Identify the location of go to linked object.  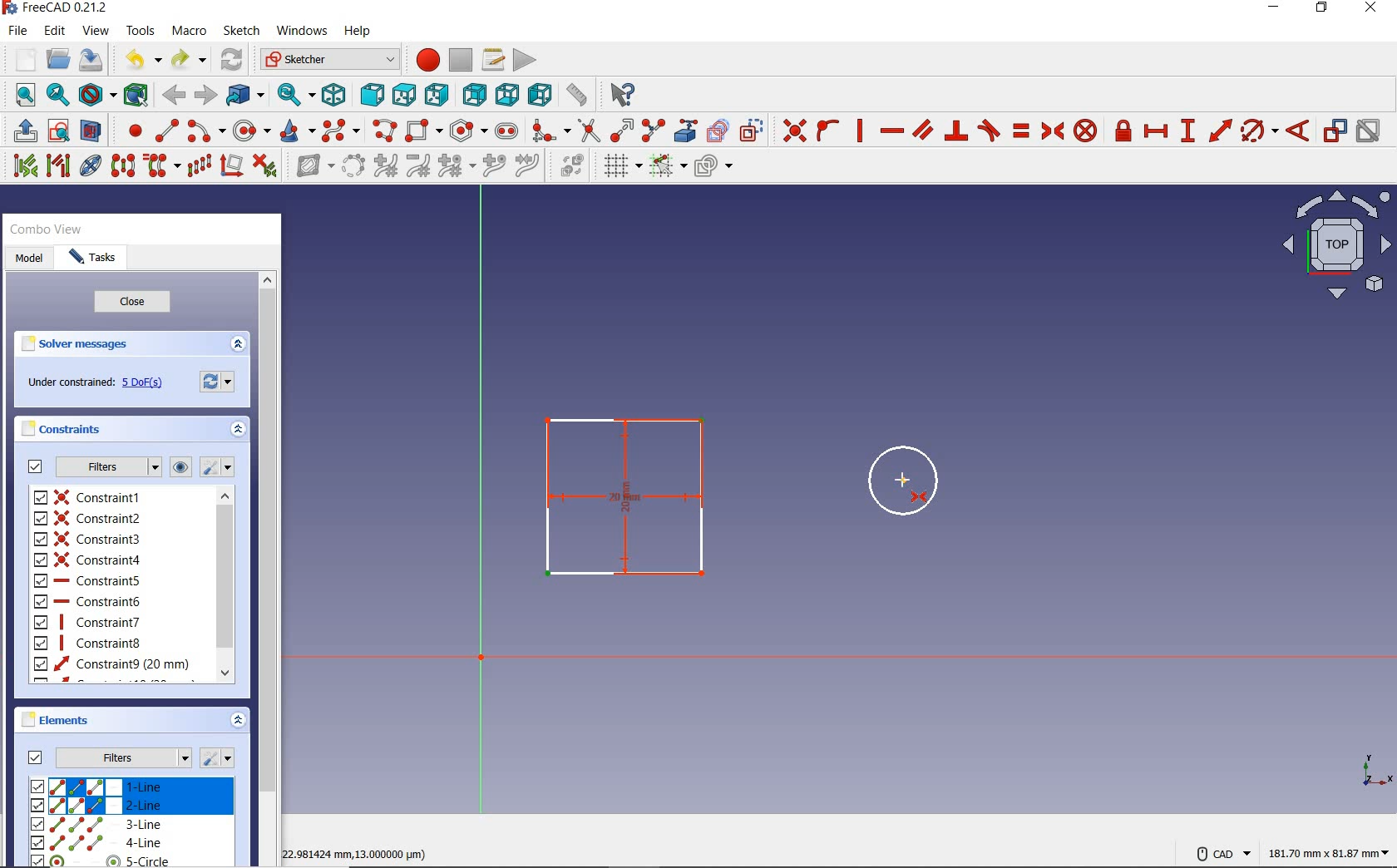
(245, 94).